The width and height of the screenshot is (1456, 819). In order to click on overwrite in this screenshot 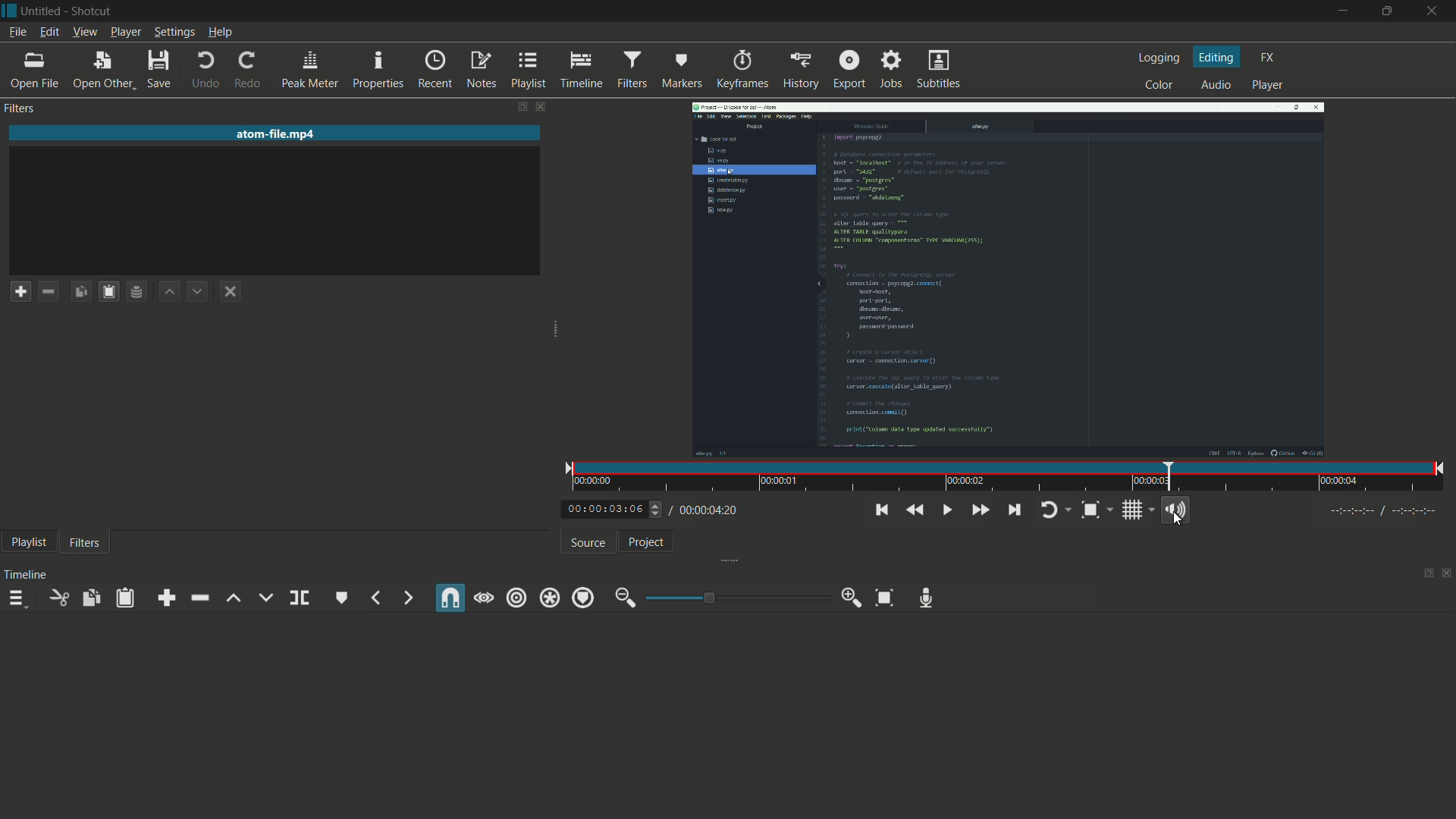, I will do `click(265, 598)`.